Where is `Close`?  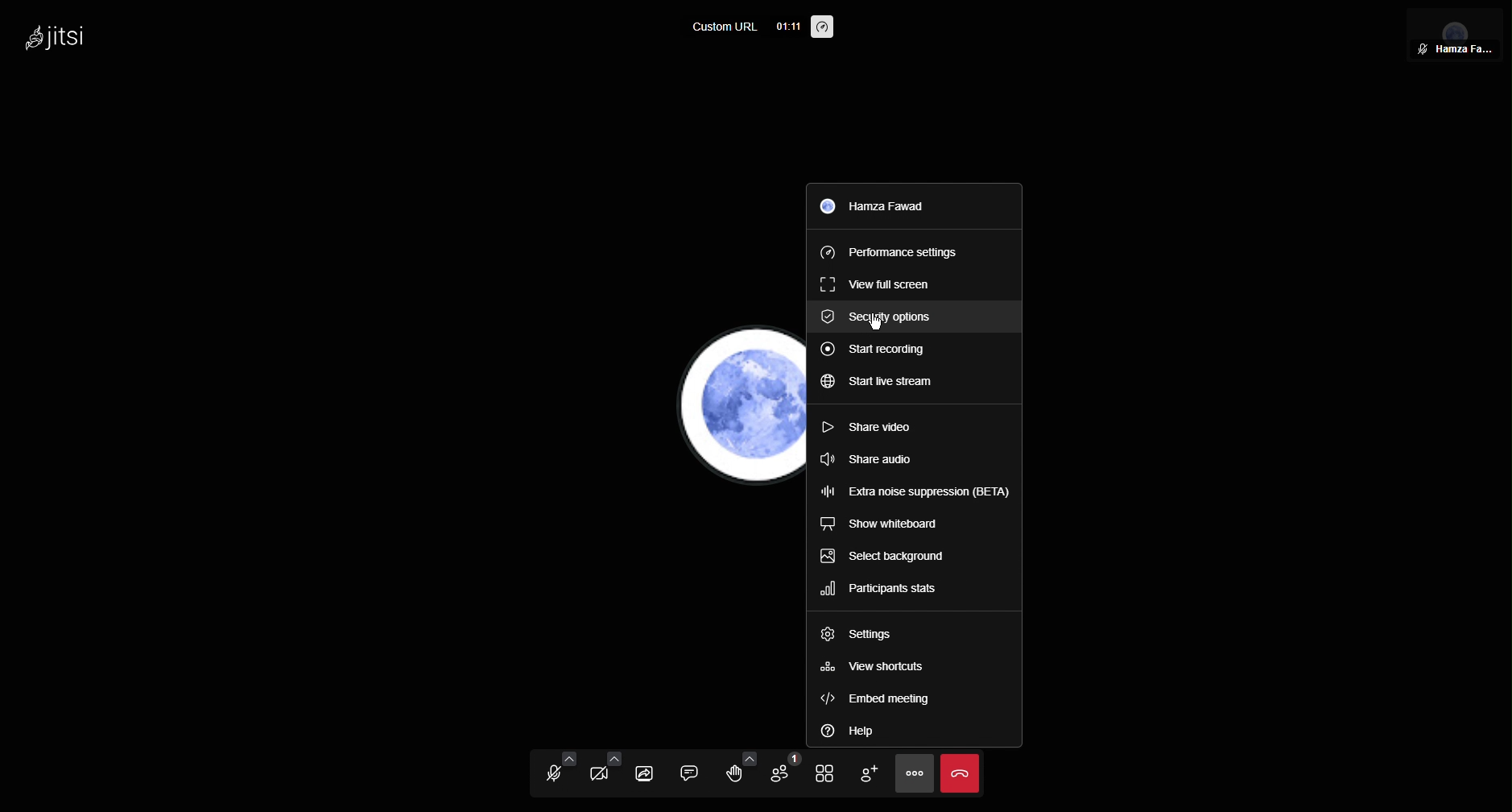
Close is located at coordinates (960, 774).